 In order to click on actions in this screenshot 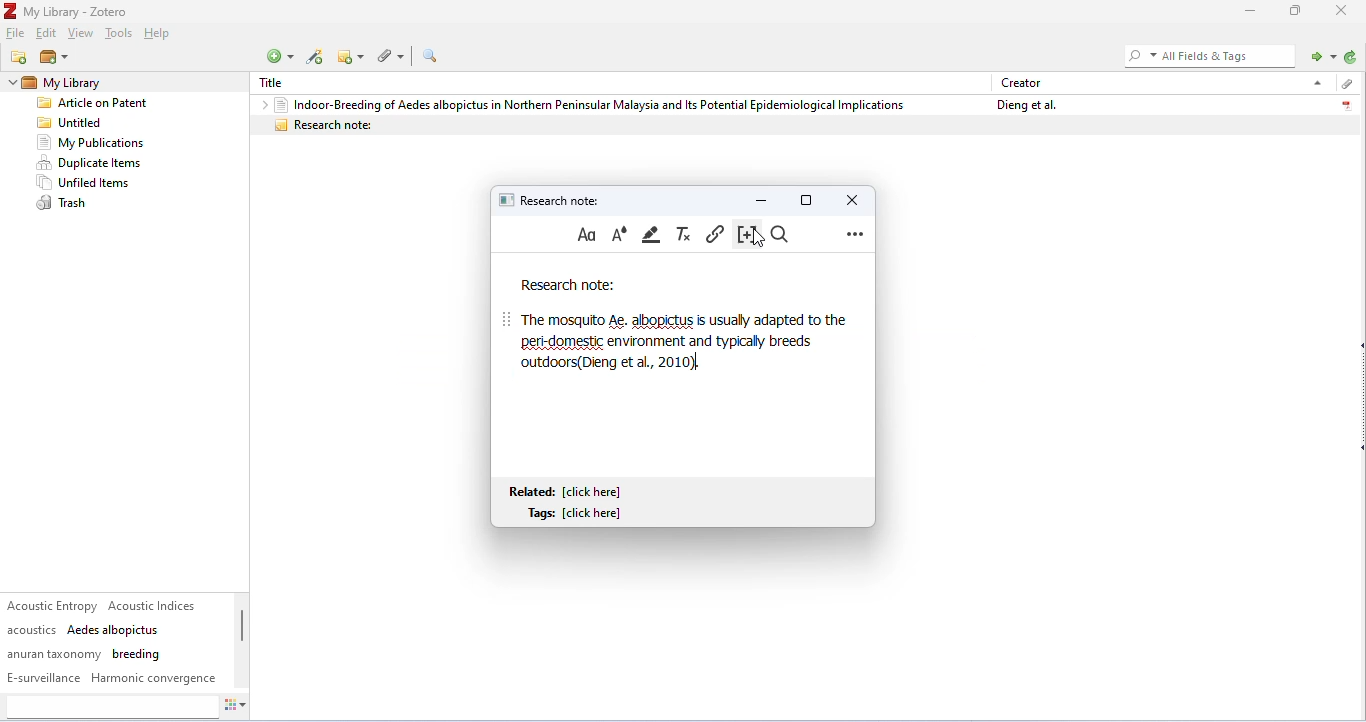, I will do `click(236, 708)`.